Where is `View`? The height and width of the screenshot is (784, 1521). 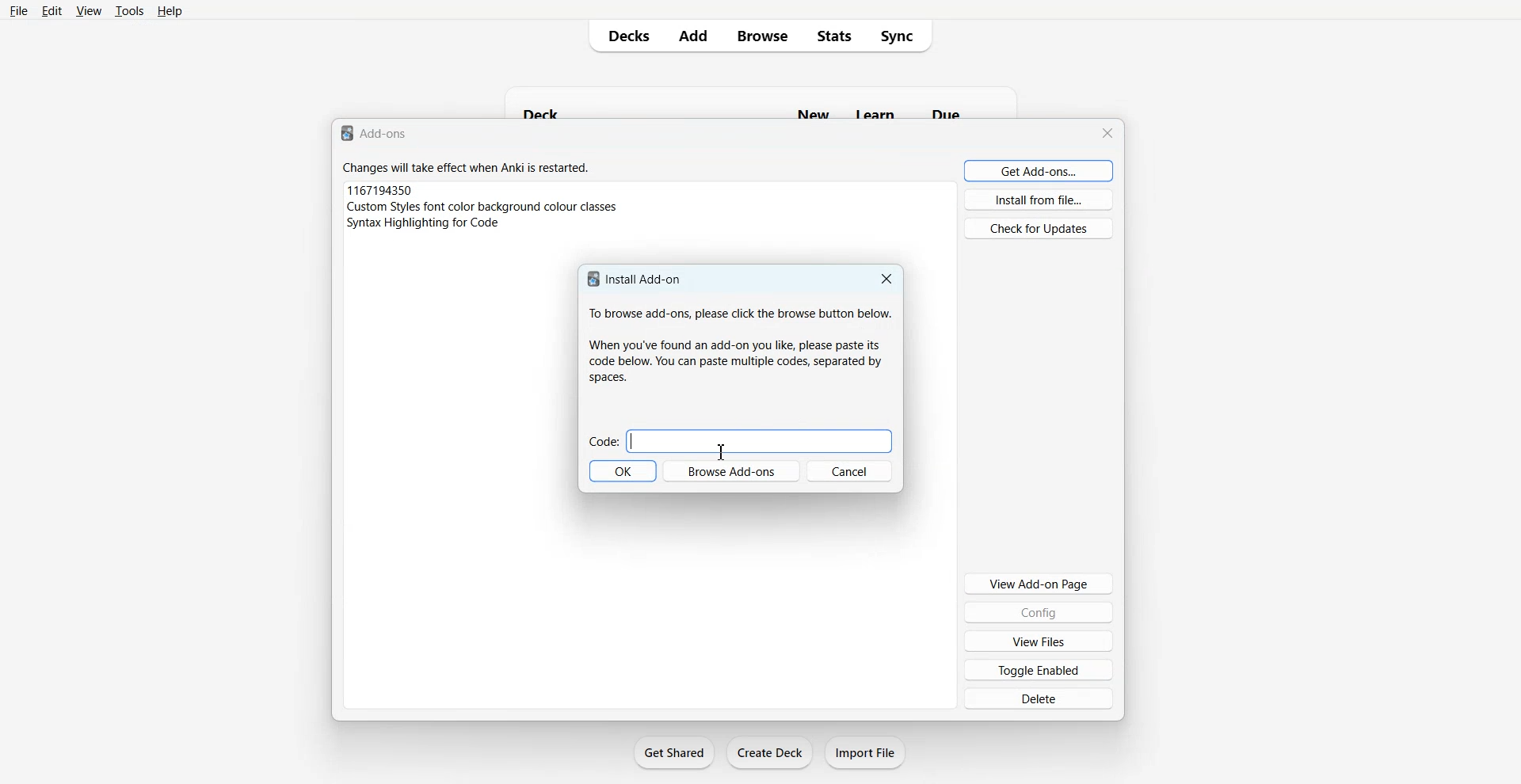
View is located at coordinates (88, 11).